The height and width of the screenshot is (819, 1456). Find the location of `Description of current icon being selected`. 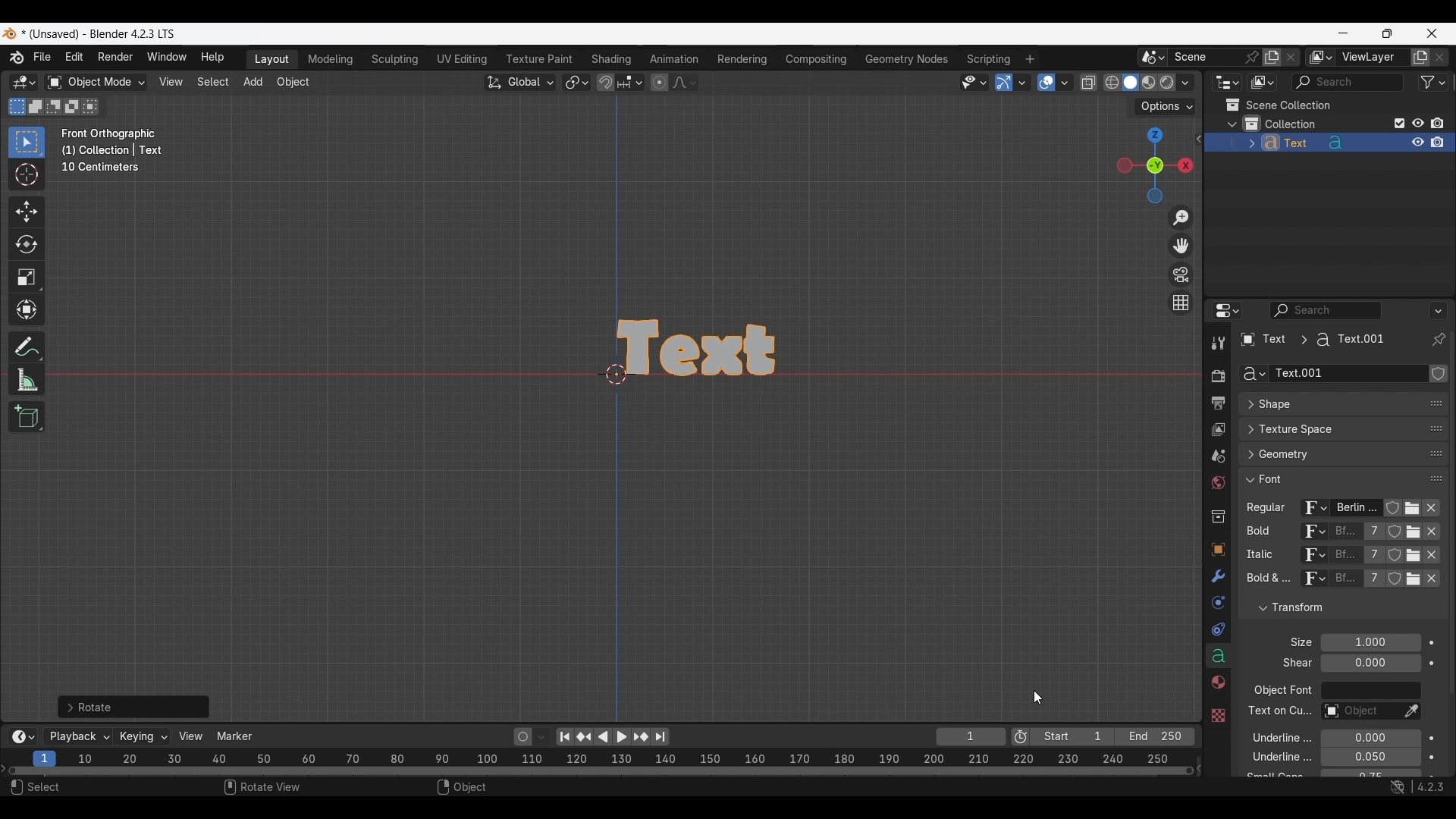

Description of current icon being selected is located at coordinates (1361, 548).